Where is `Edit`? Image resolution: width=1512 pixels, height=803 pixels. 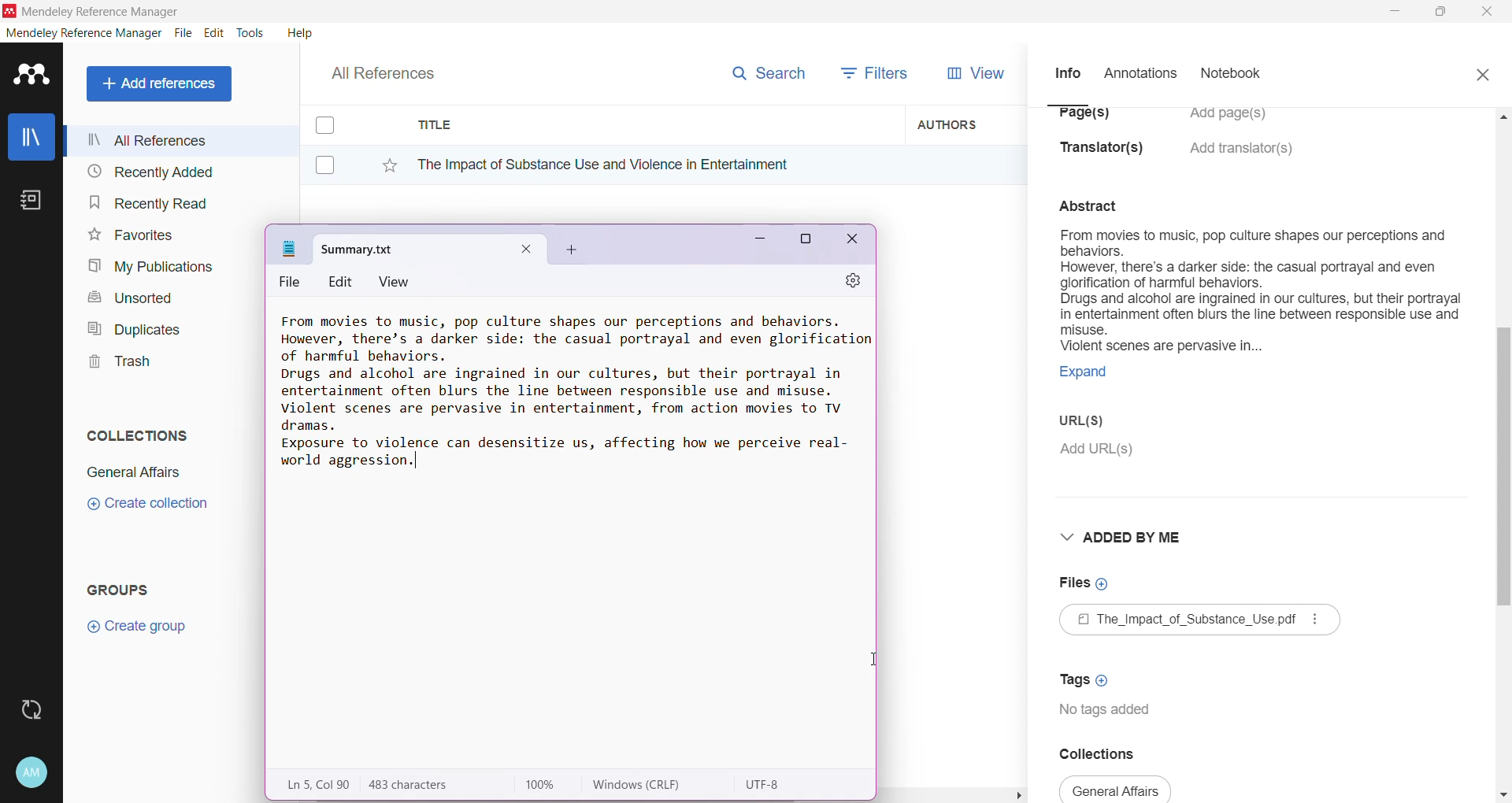 Edit is located at coordinates (214, 33).